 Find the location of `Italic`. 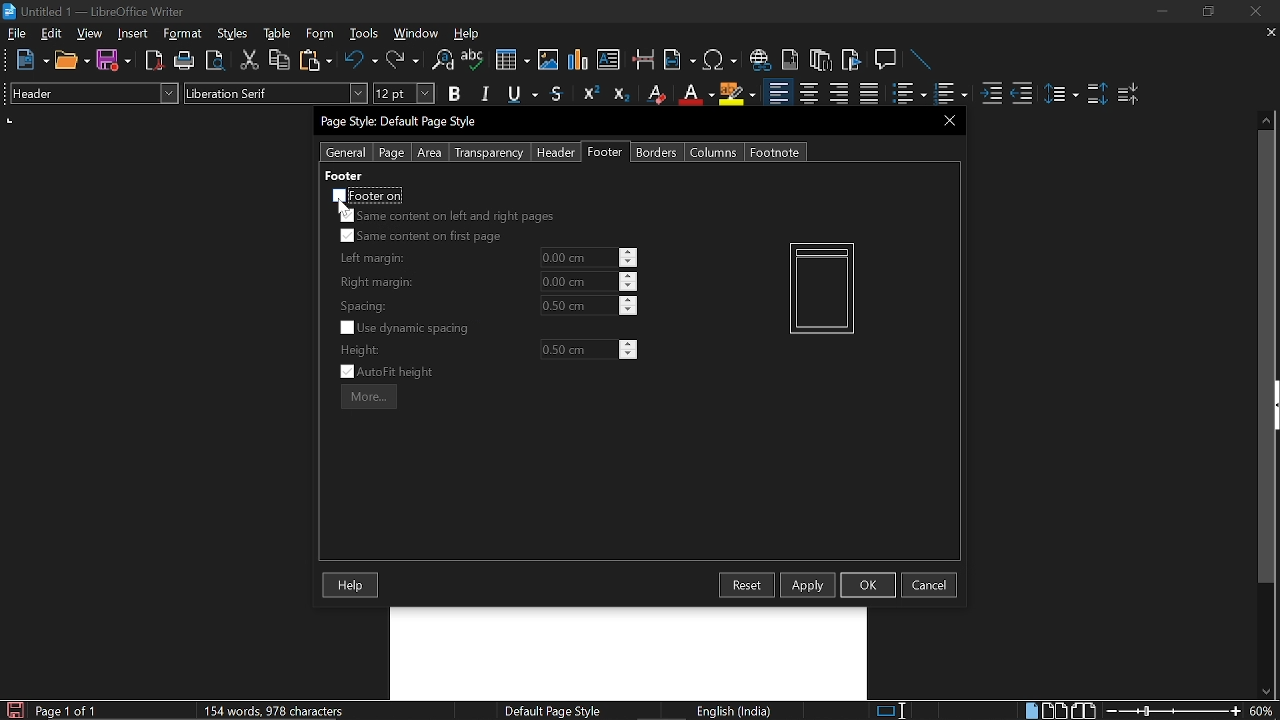

Italic is located at coordinates (486, 94).